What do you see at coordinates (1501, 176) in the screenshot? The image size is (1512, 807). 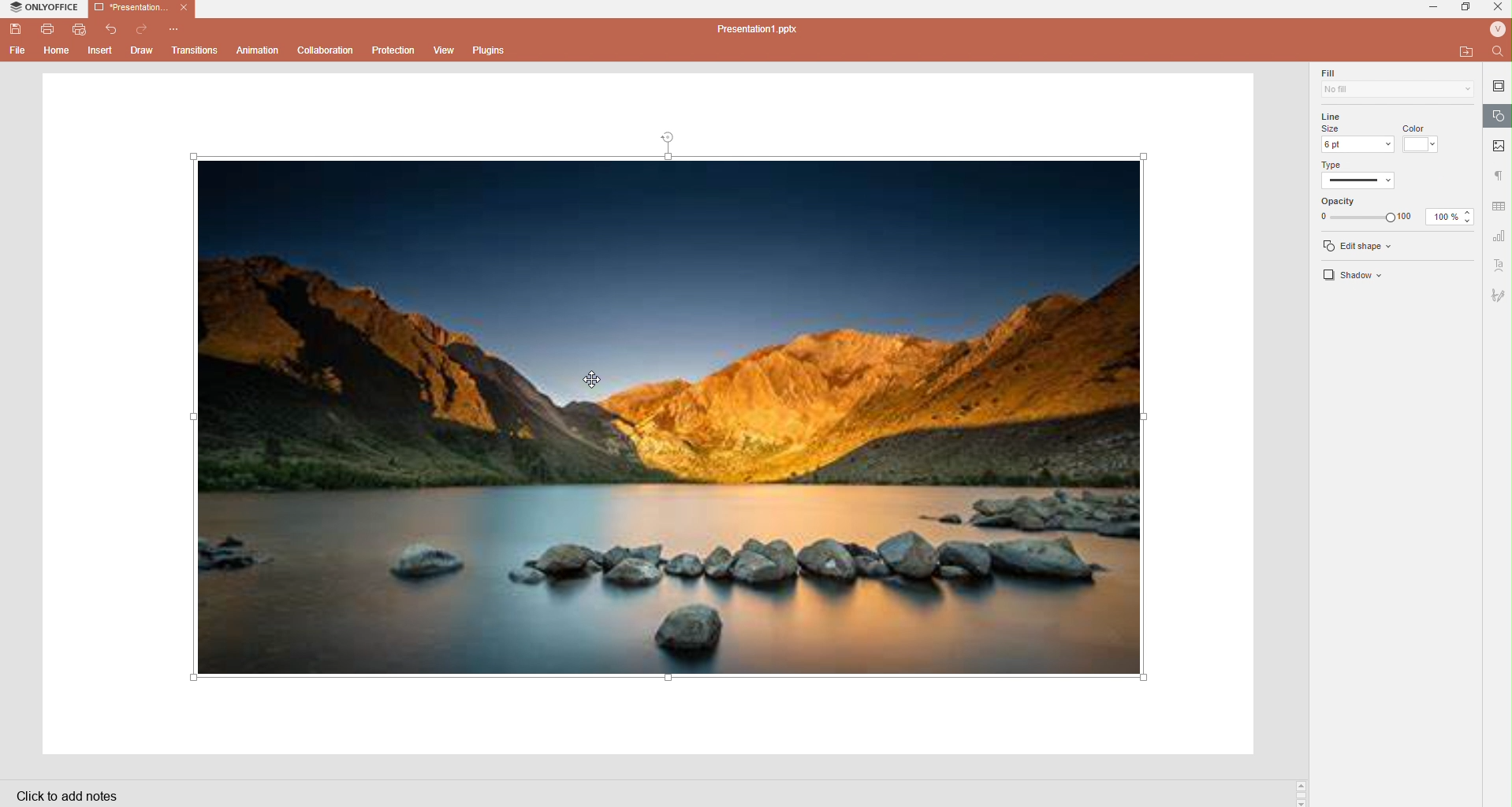 I see `Paragraph settings` at bounding box center [1501, 176].